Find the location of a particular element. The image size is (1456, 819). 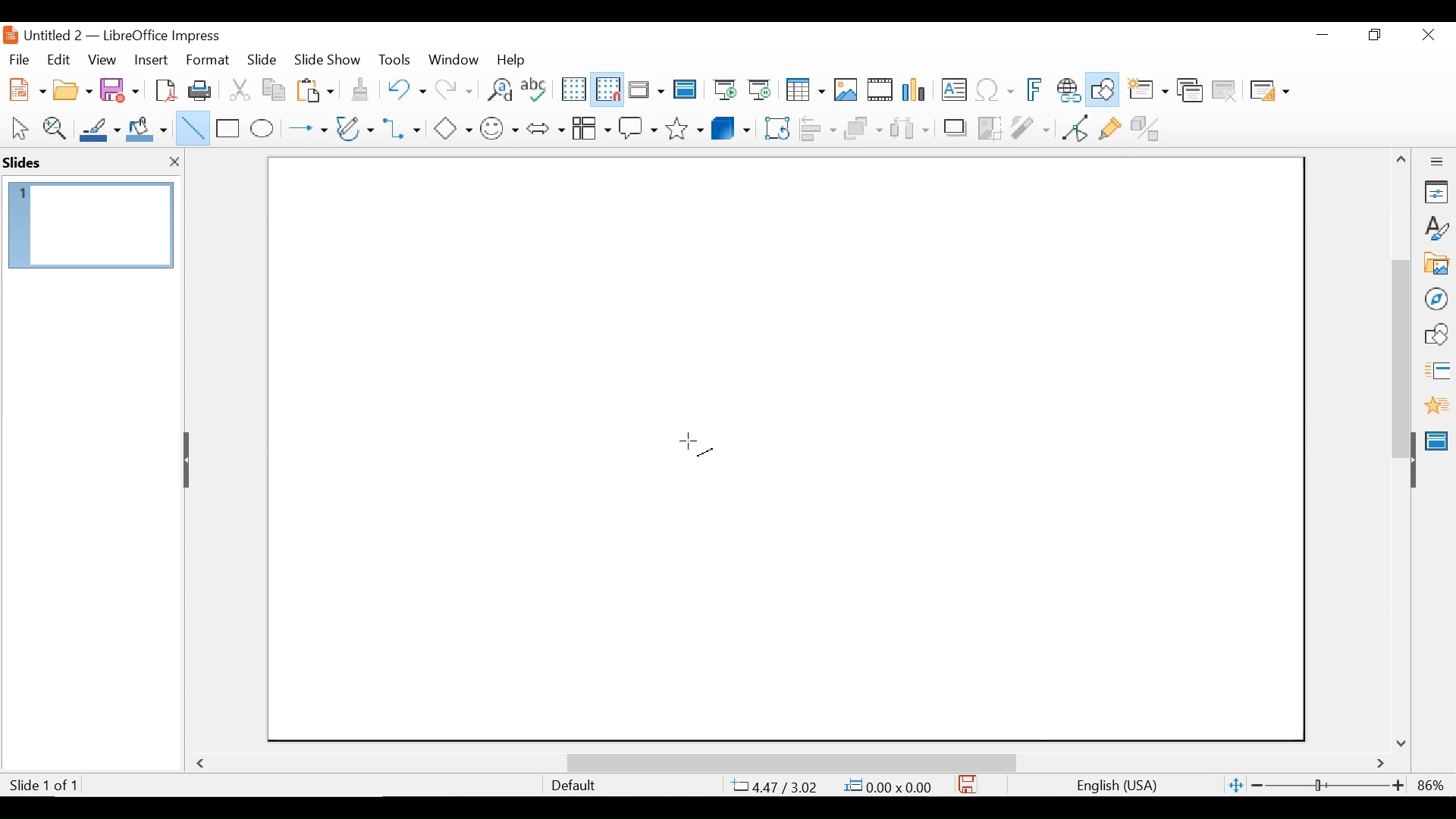

Start from First Slide is located at coordinates (723, 91).